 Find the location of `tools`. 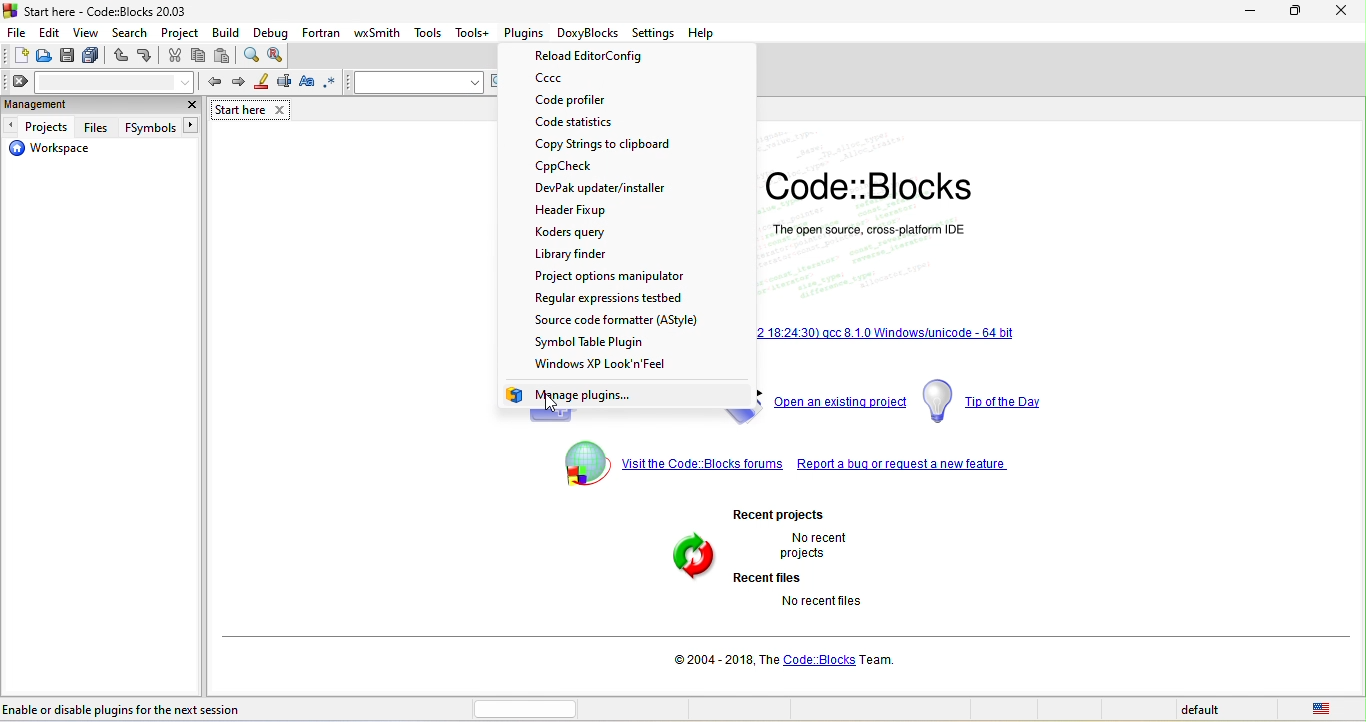

tools is located at coordinates (428, 34).